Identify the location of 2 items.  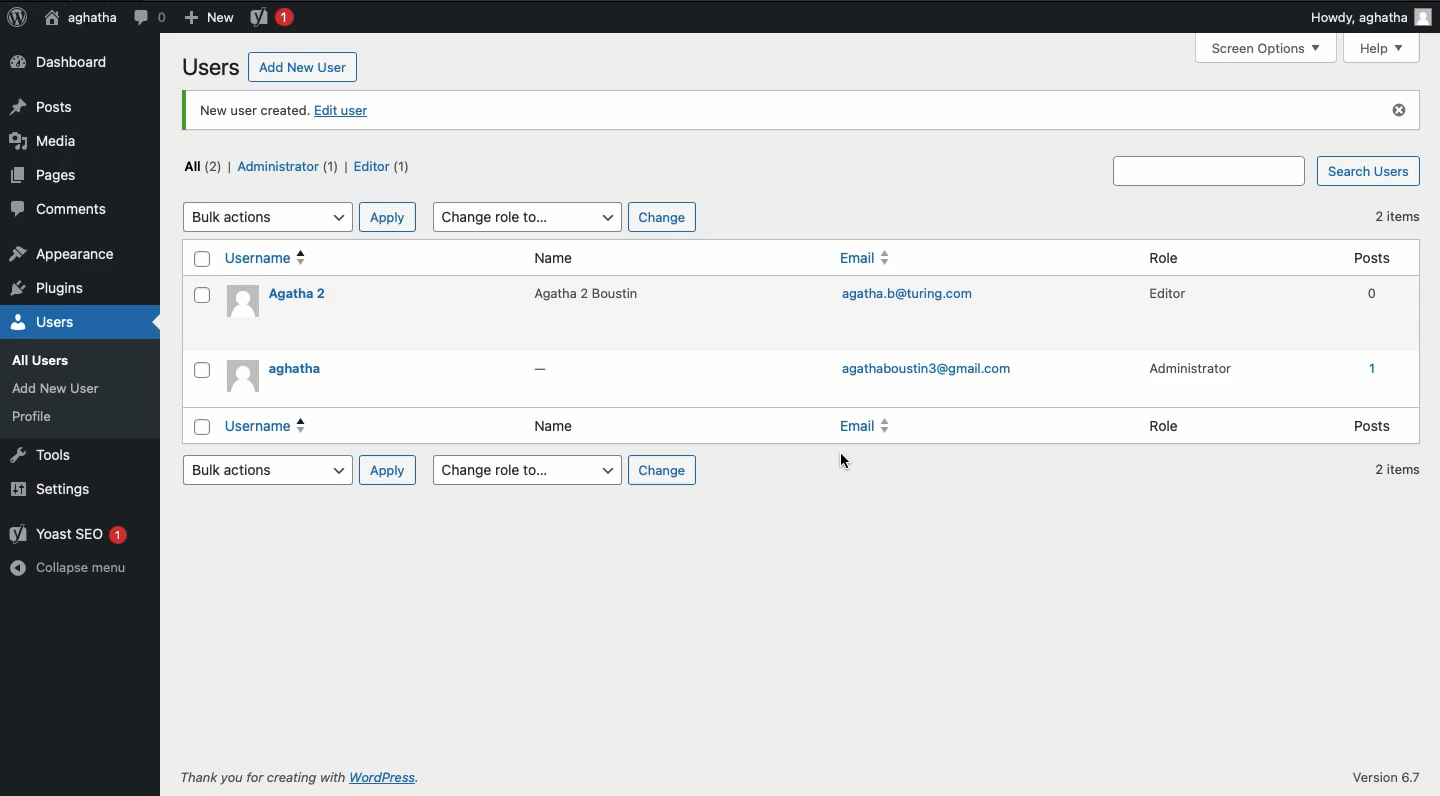
(1391, 220).